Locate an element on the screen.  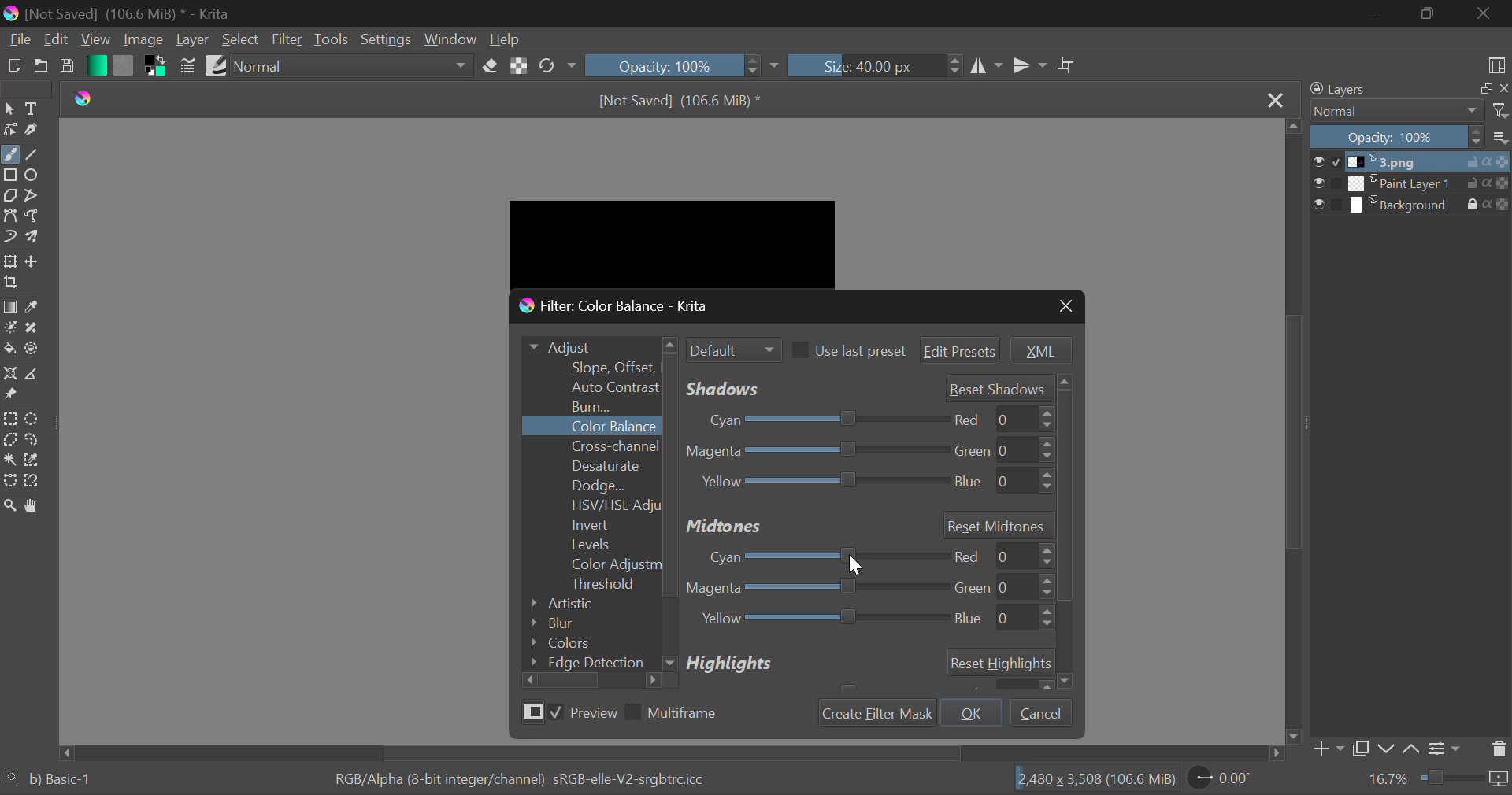
filter is located at coordinates (1502, 111).